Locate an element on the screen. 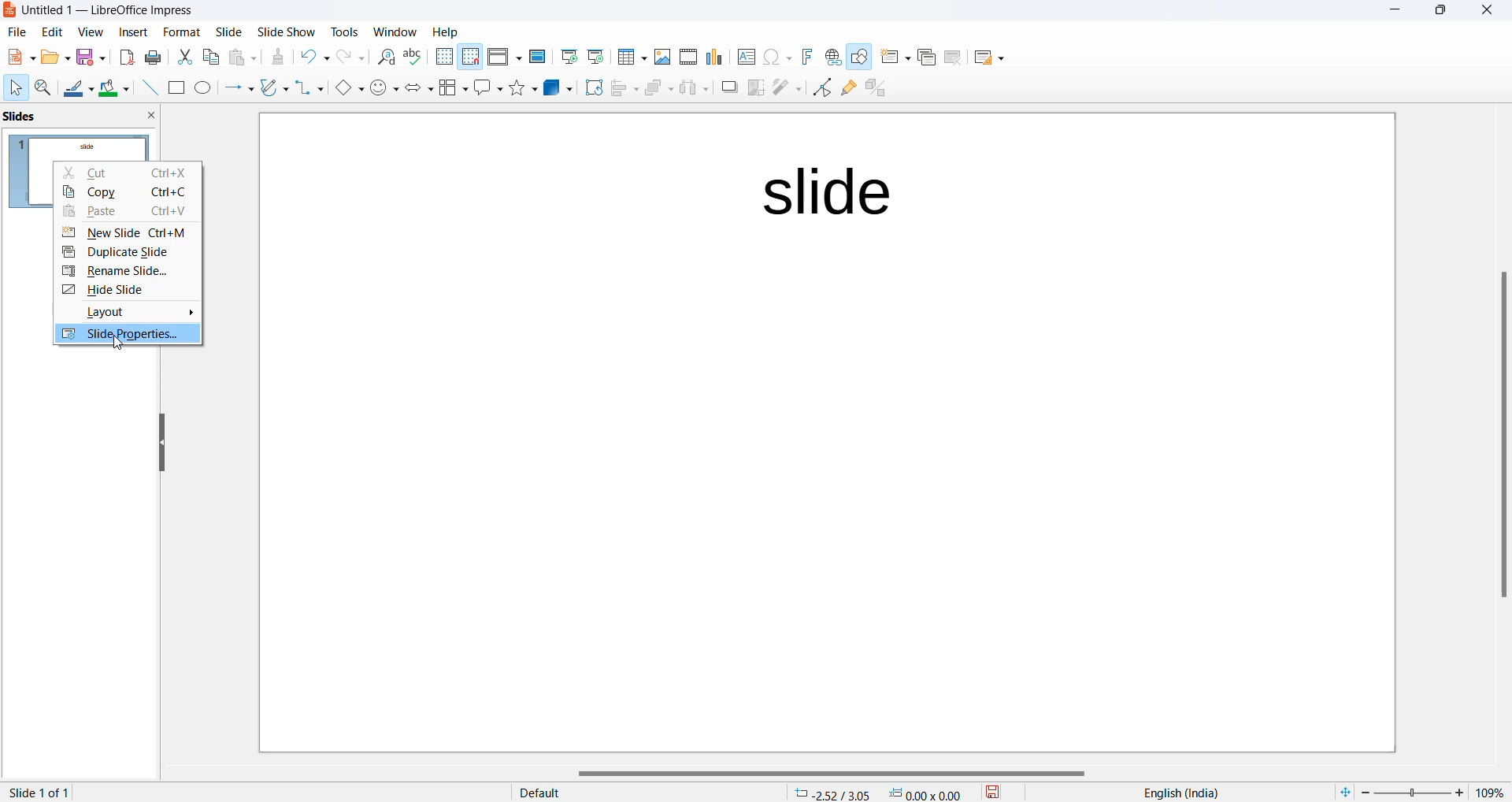 Image resolution: width=1512 pixels, height=802 pixels. slide is located at coordinates (231, 32).